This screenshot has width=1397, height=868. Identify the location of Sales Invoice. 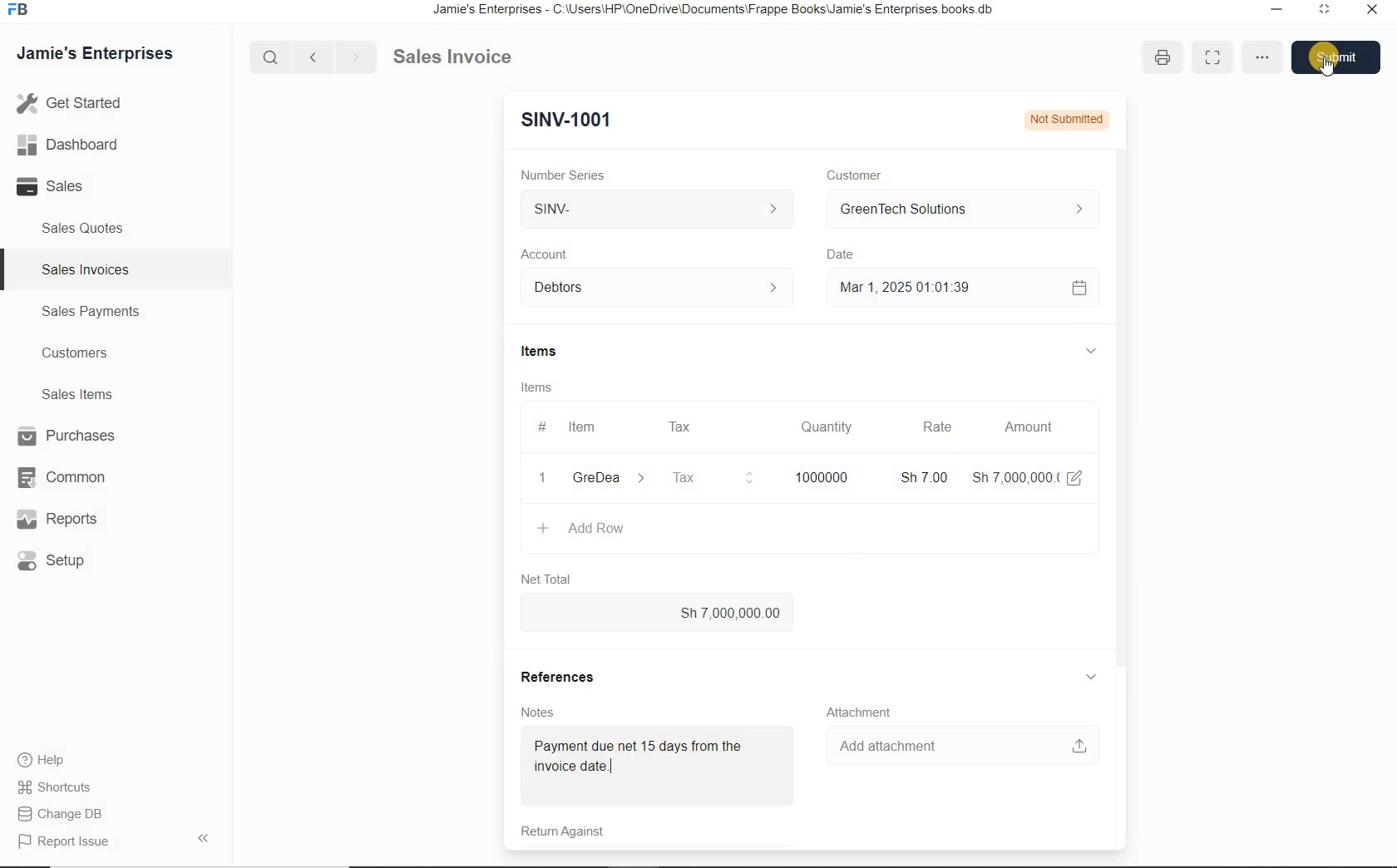
(454, 57).